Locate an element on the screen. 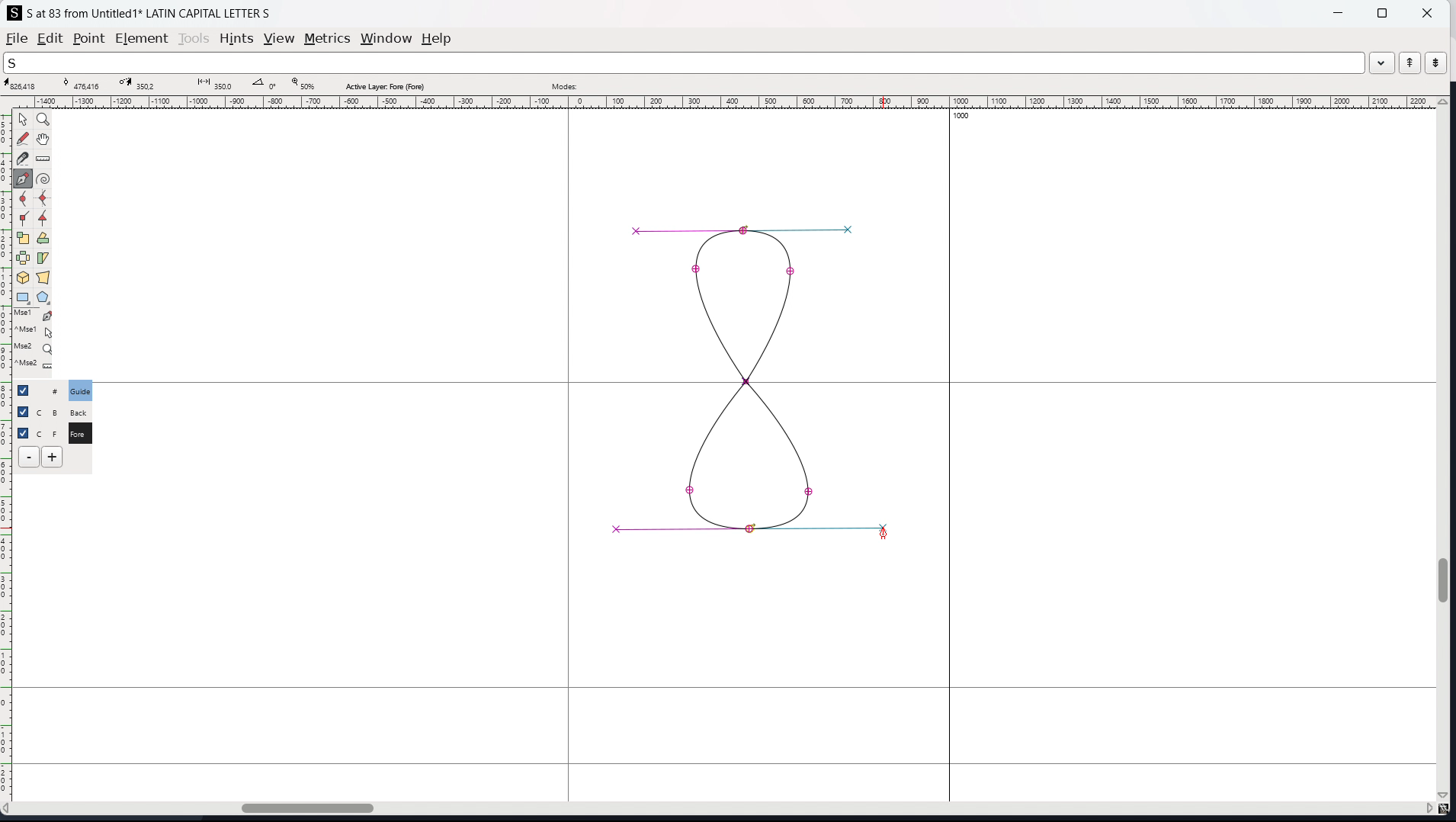 The image size is (1456, 822). perspective transformation is located at coordinates (43, 278).